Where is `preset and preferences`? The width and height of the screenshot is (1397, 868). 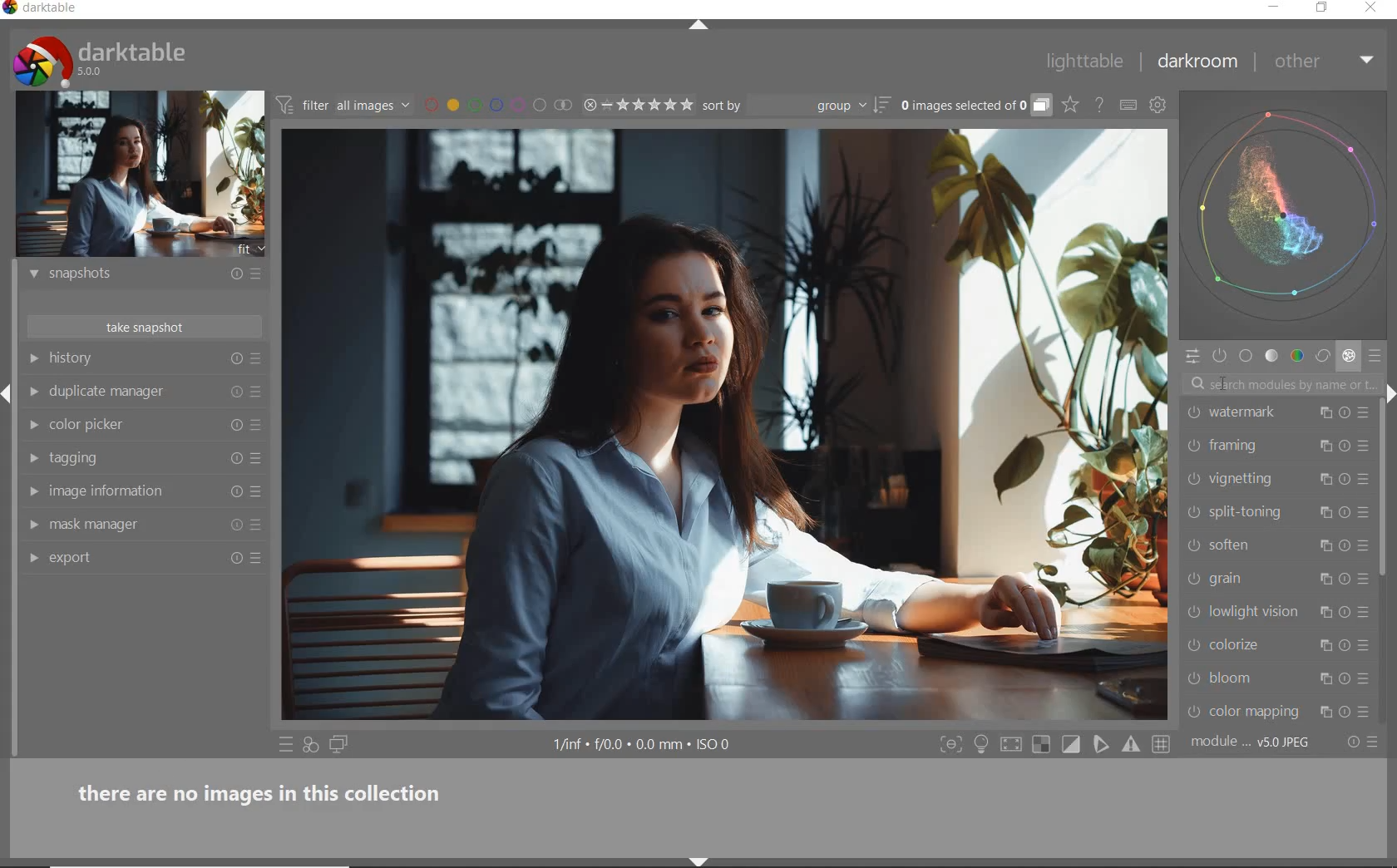
preset and preferences is located at coordinates (255, 275).